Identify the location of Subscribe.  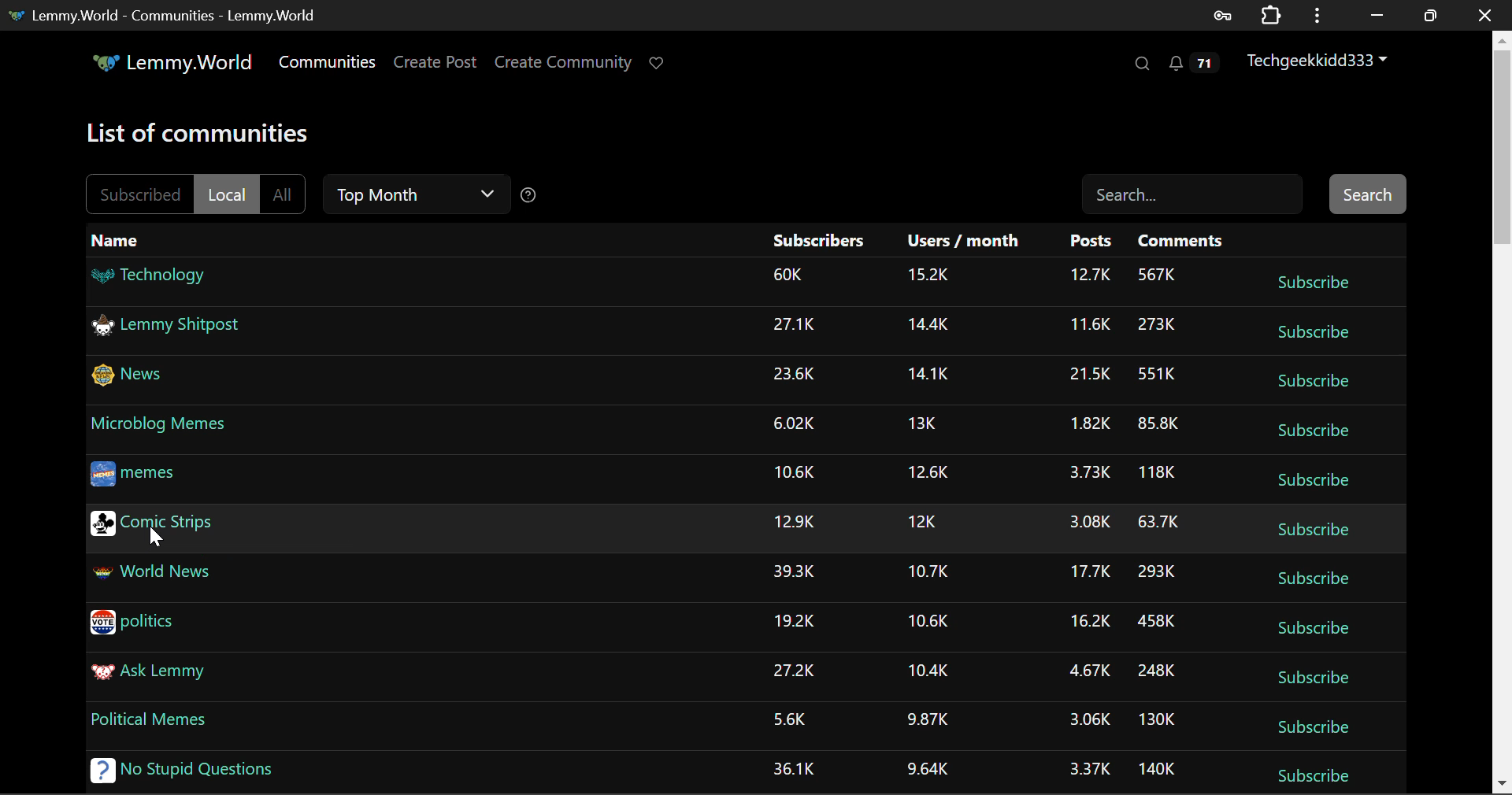
(1314, 727).